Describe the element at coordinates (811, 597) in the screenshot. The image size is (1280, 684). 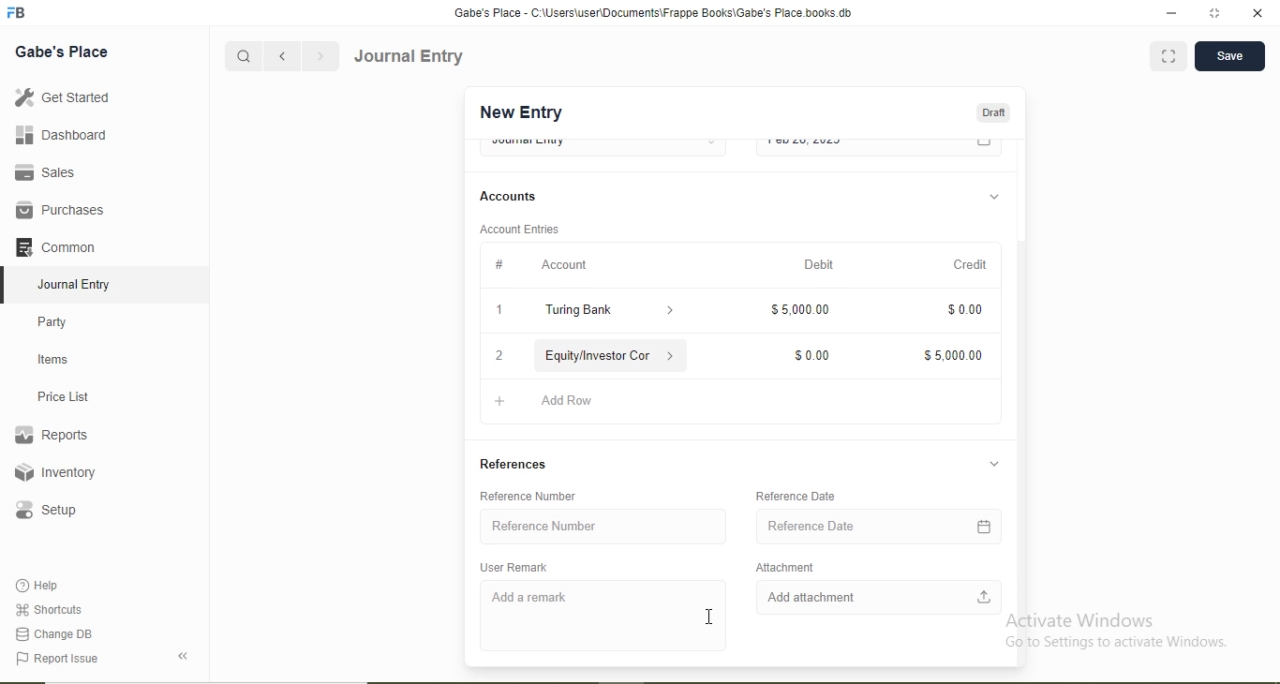
I see `Add attachment` at that location.